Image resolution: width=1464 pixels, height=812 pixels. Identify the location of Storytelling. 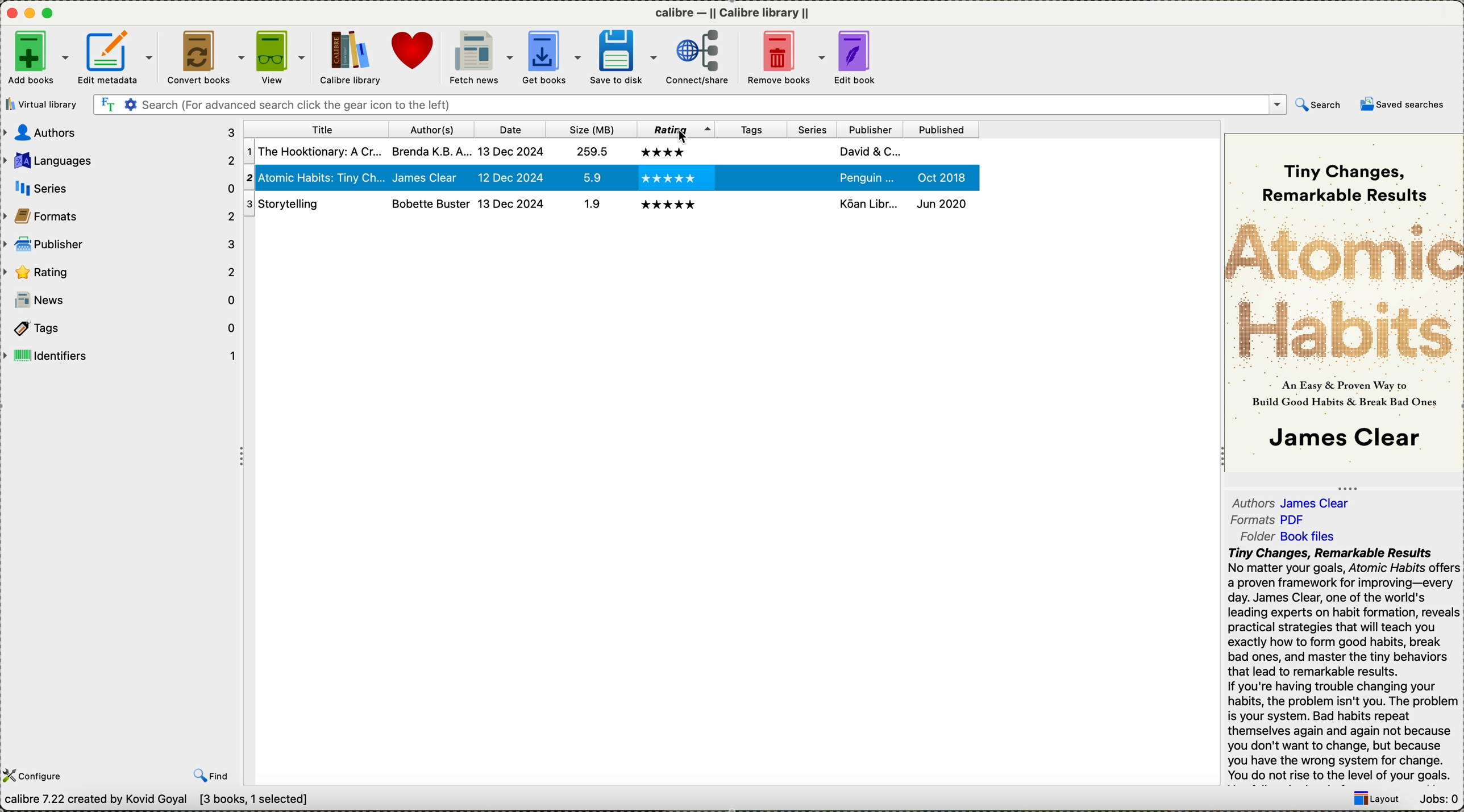
(312, 204).